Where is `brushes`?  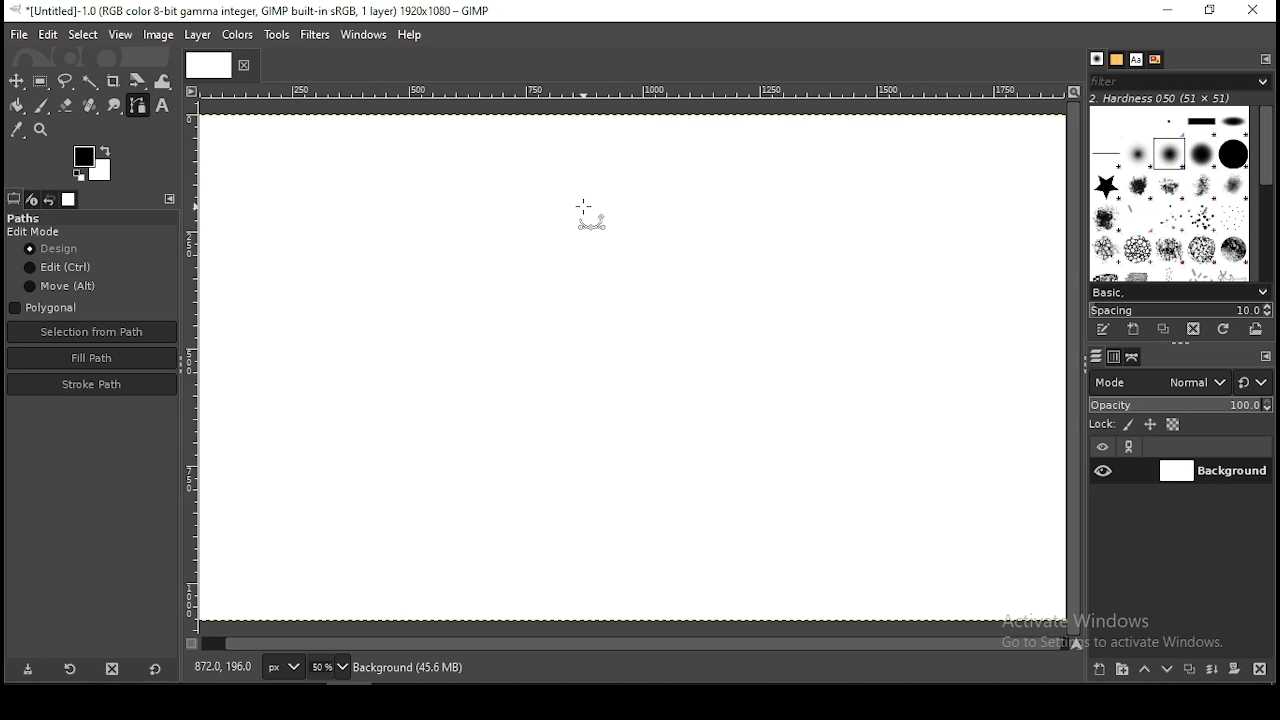 brushes is located at coordinates (1167, 193).